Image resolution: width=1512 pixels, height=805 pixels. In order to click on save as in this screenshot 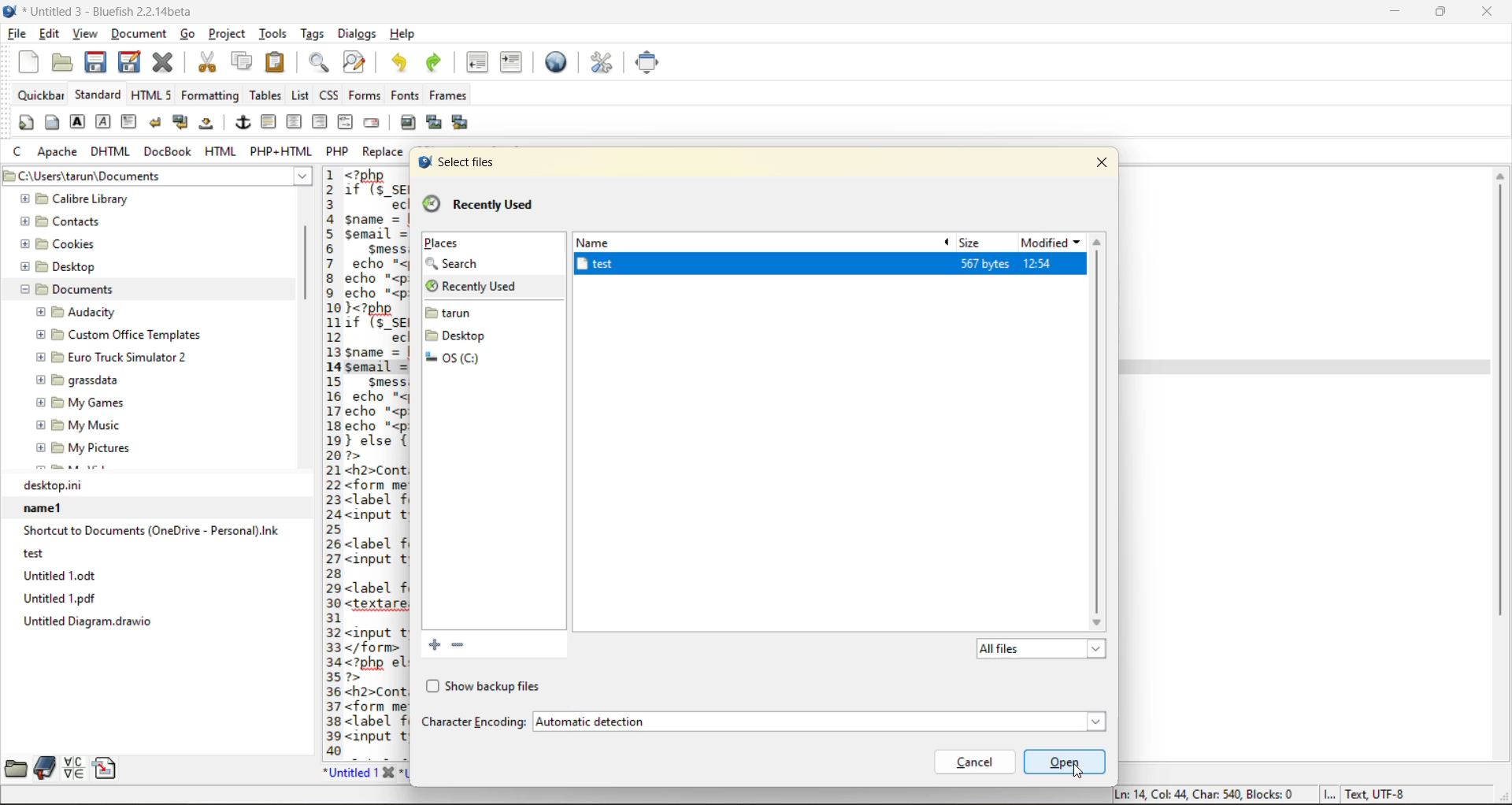, I will do `click(133, 62)`.